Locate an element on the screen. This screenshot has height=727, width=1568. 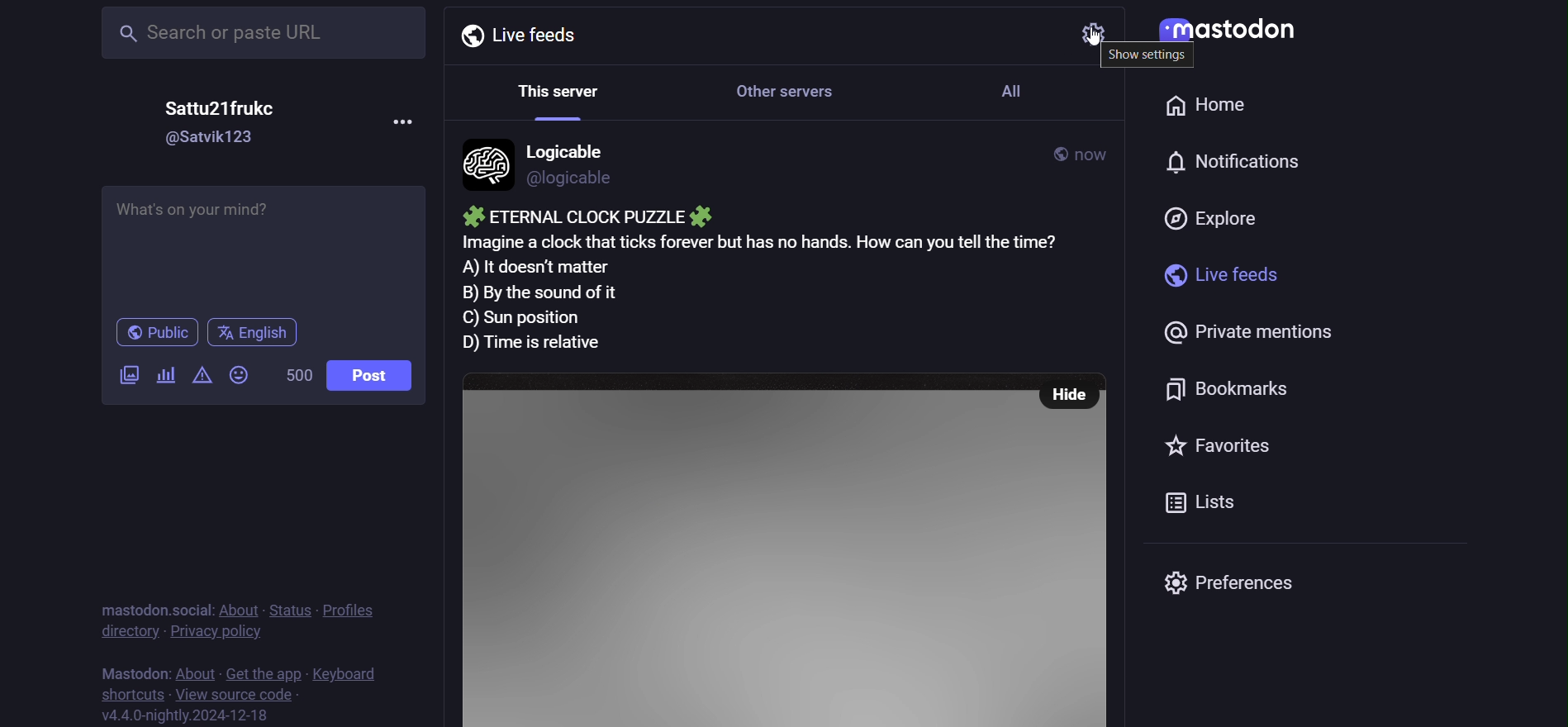
keyboard is located at coordinates (346, 672).